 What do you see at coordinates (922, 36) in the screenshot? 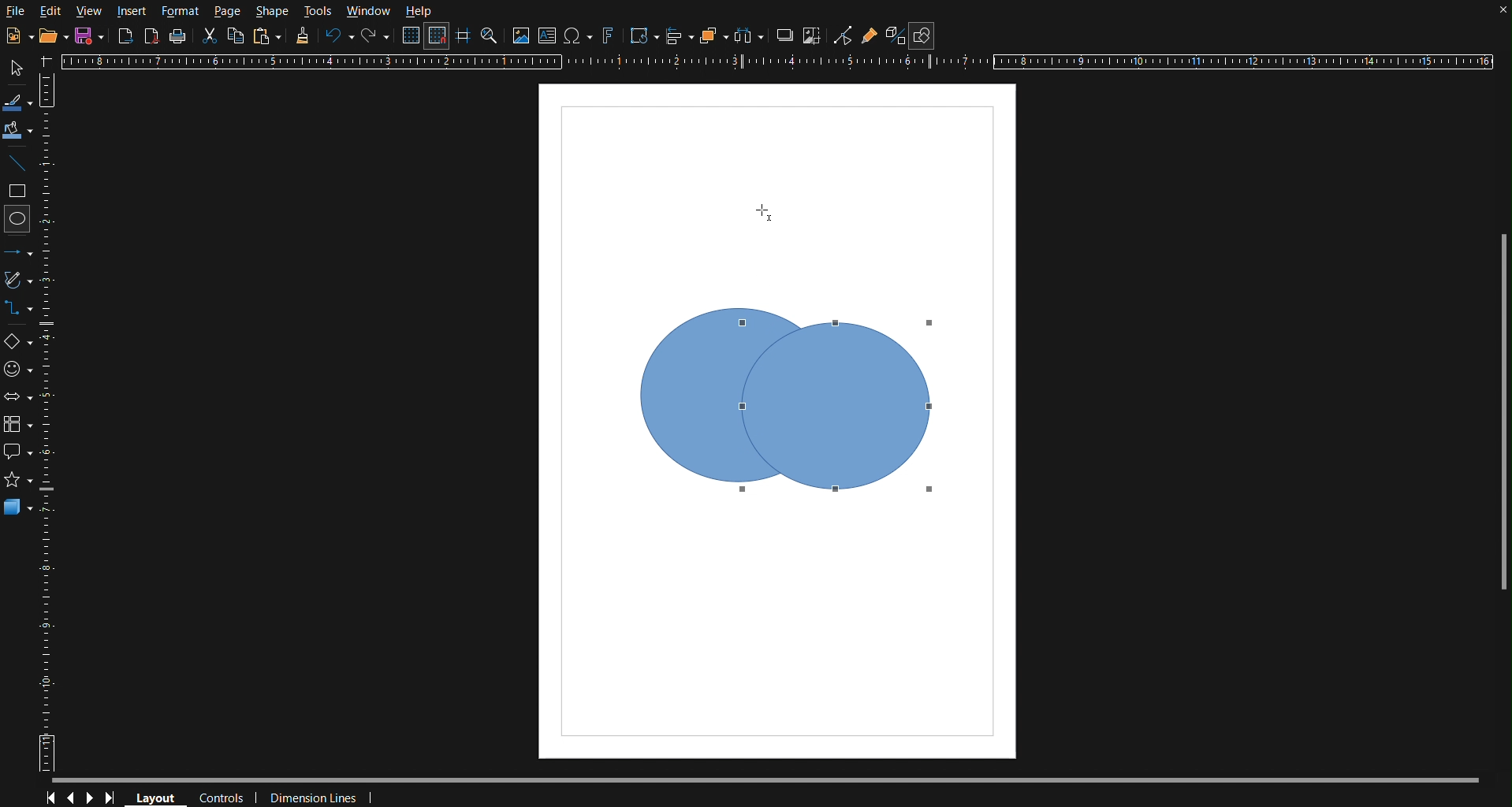
I see `Show Draw Functions` at bounding box center [922, 36].